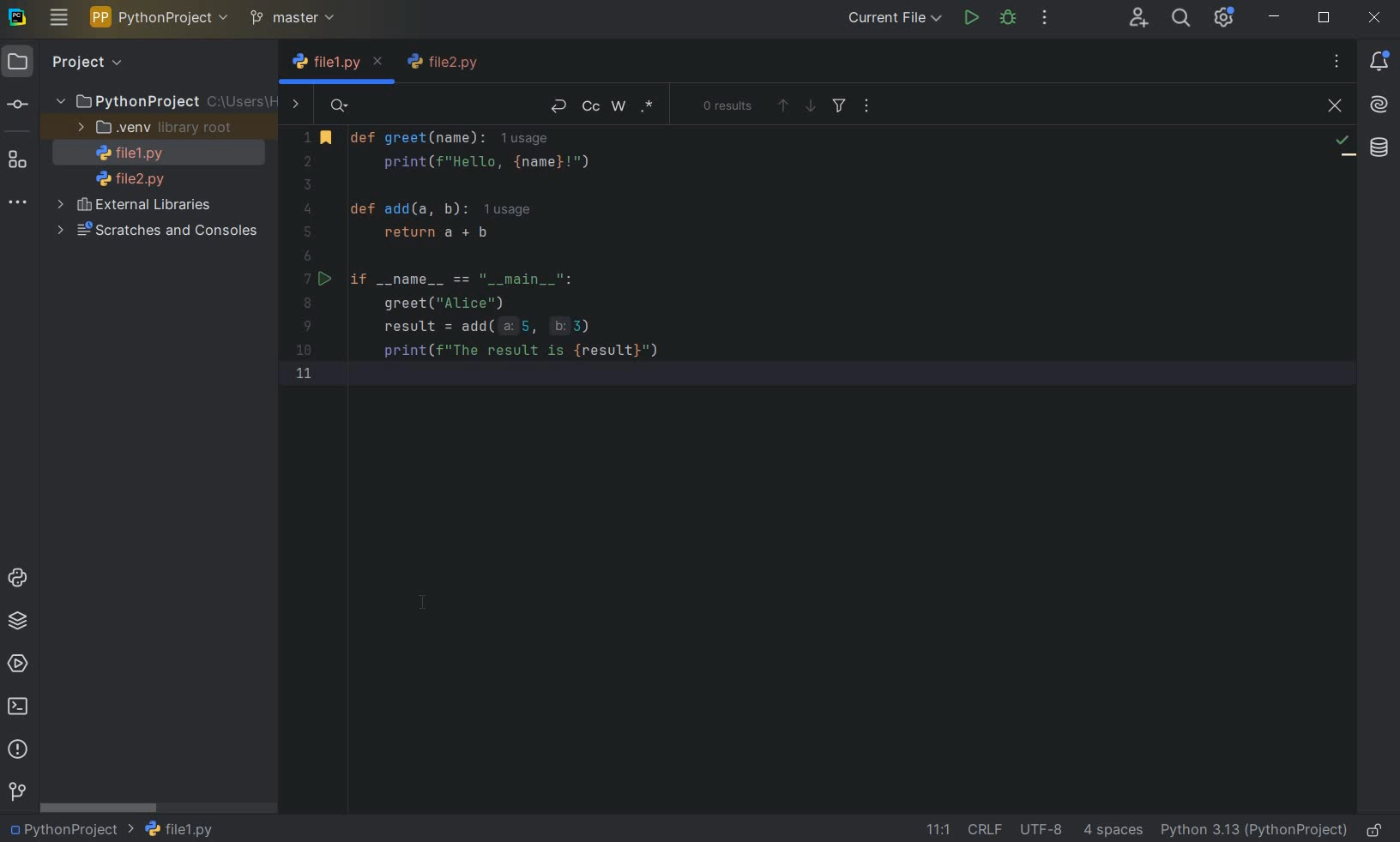 The image size is (1400, 842). Describe the element at coordinates (20, 574) in the screenshot. I see `PYTHON CONSOLE` at that location.